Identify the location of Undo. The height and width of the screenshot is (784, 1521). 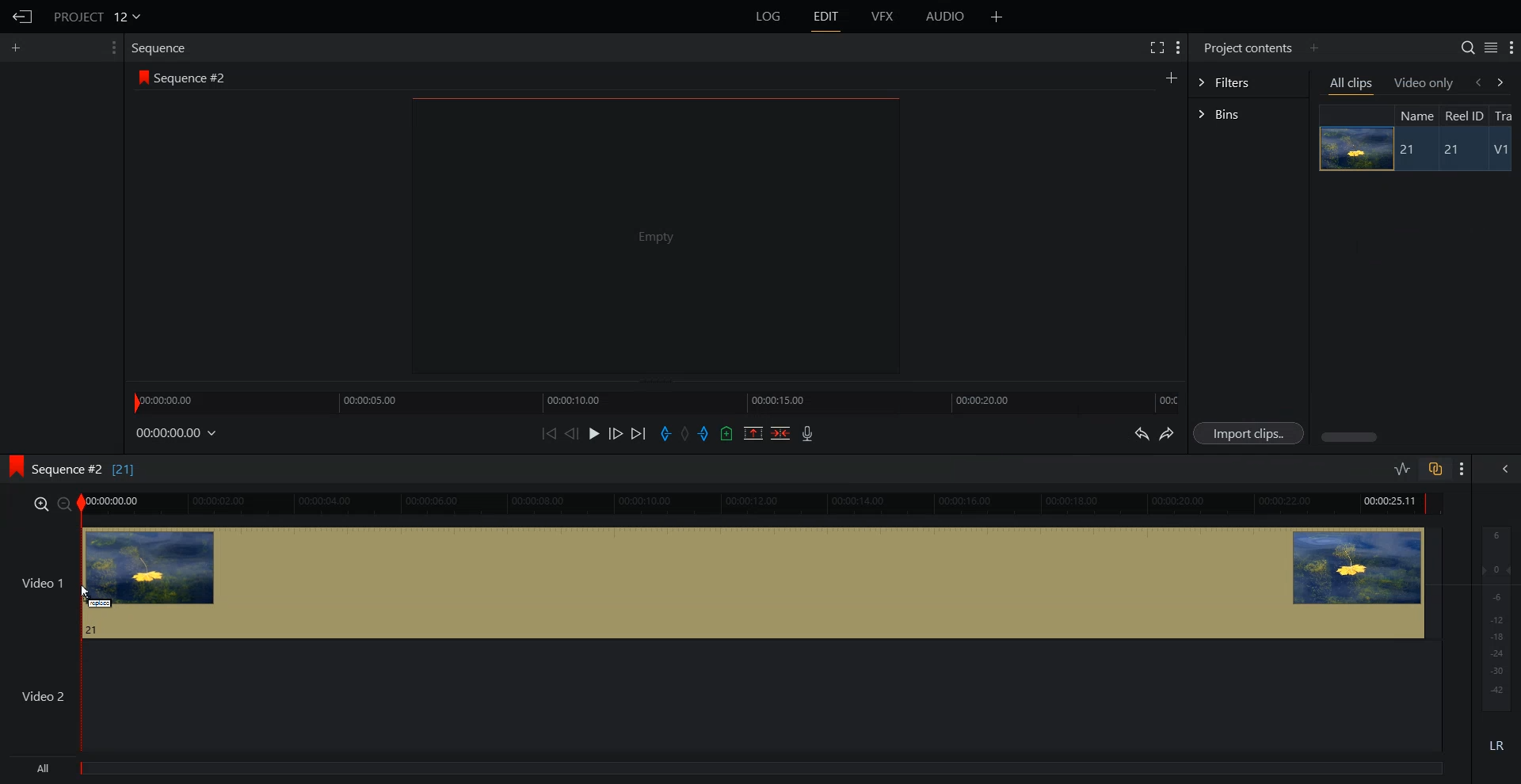
(1140, 432).